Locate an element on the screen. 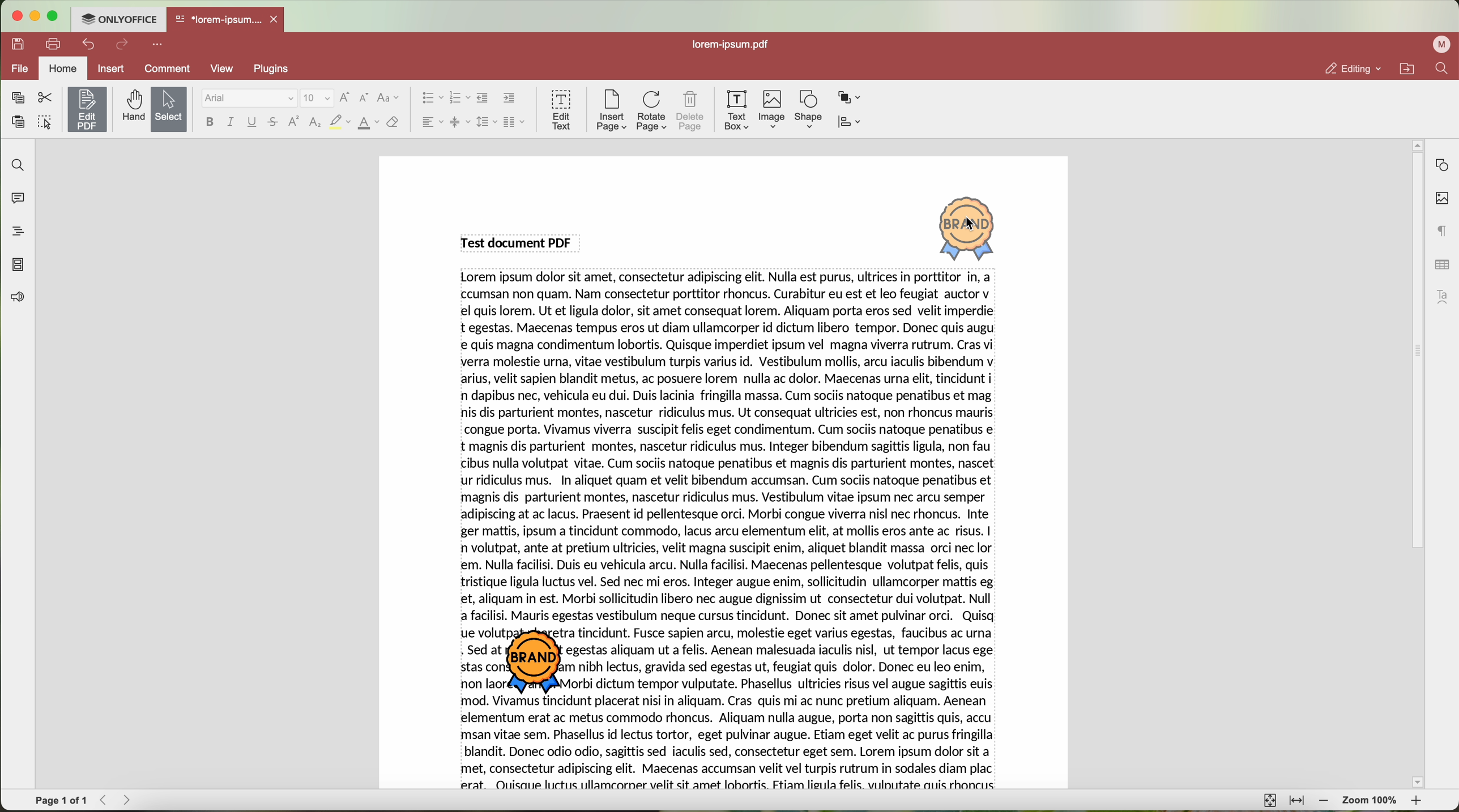 This screenshot has height=812, width=1459. arrange shape is located at coordinates (850, 98).